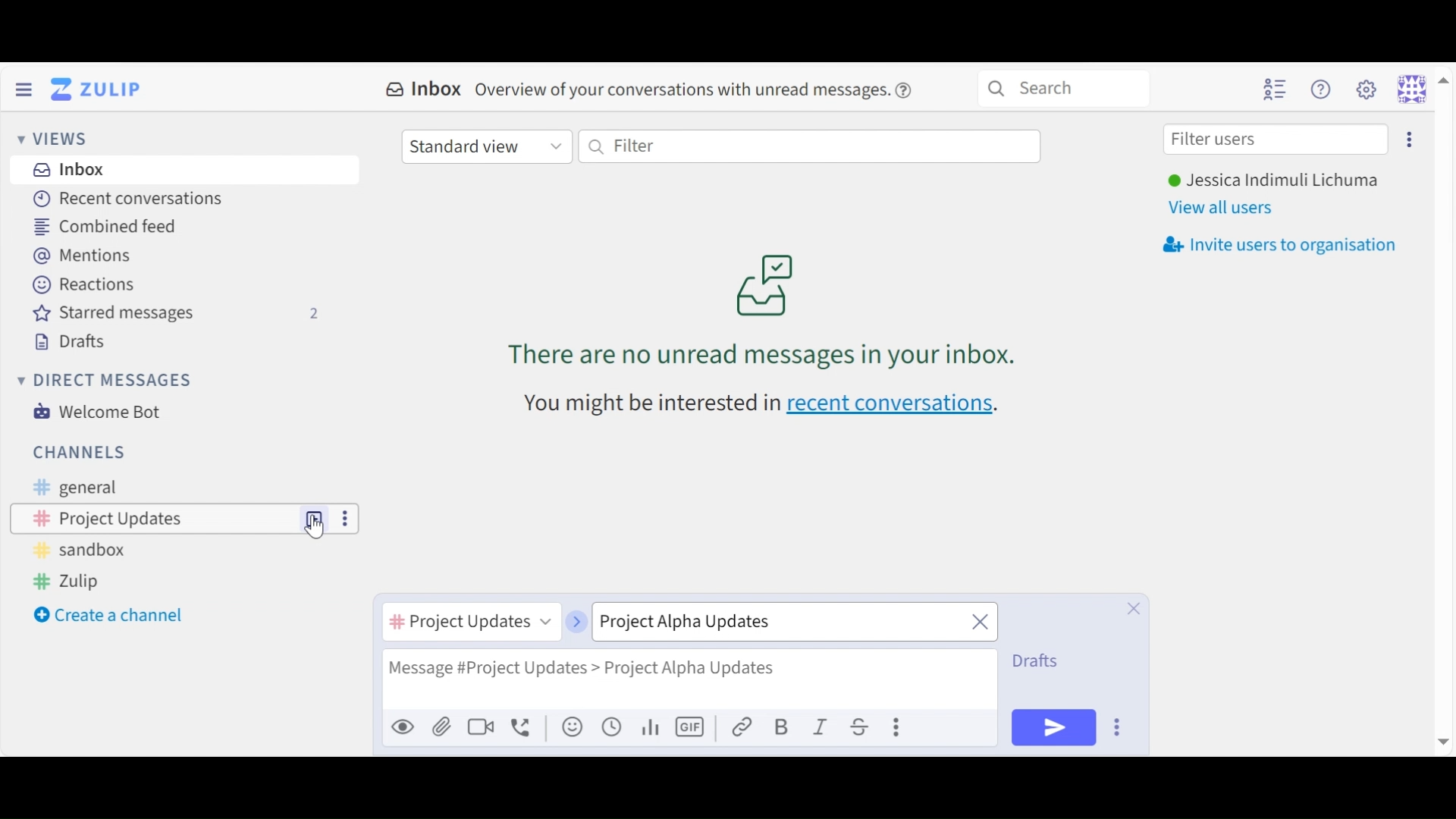 This screenshot has width=1456, height=819. What do you see at coordinates (653, 727) in the screenshot?
I see `graph` at bounding box center [653, 727].